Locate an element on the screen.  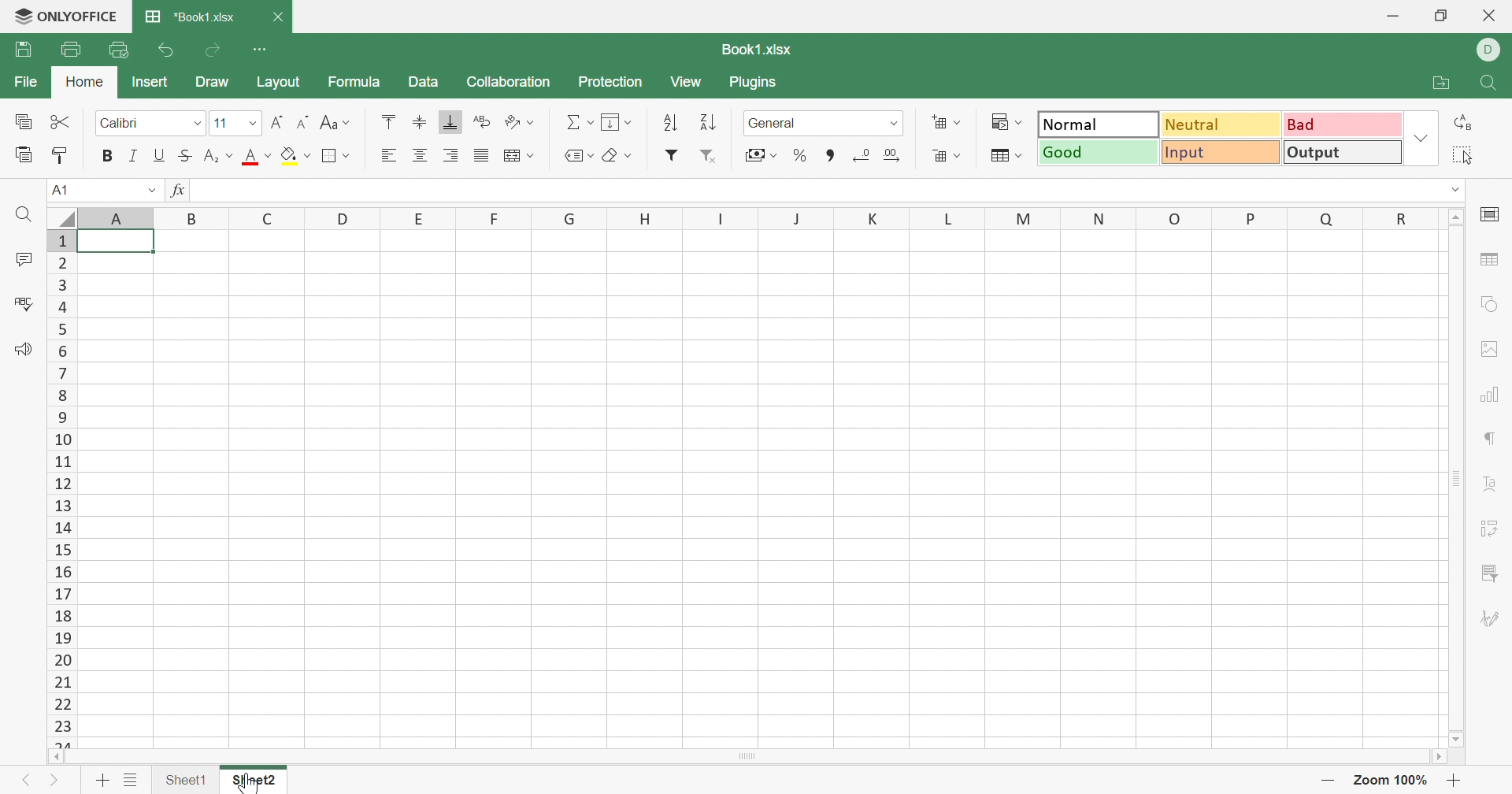
font color is located at coordinates (250, 156).